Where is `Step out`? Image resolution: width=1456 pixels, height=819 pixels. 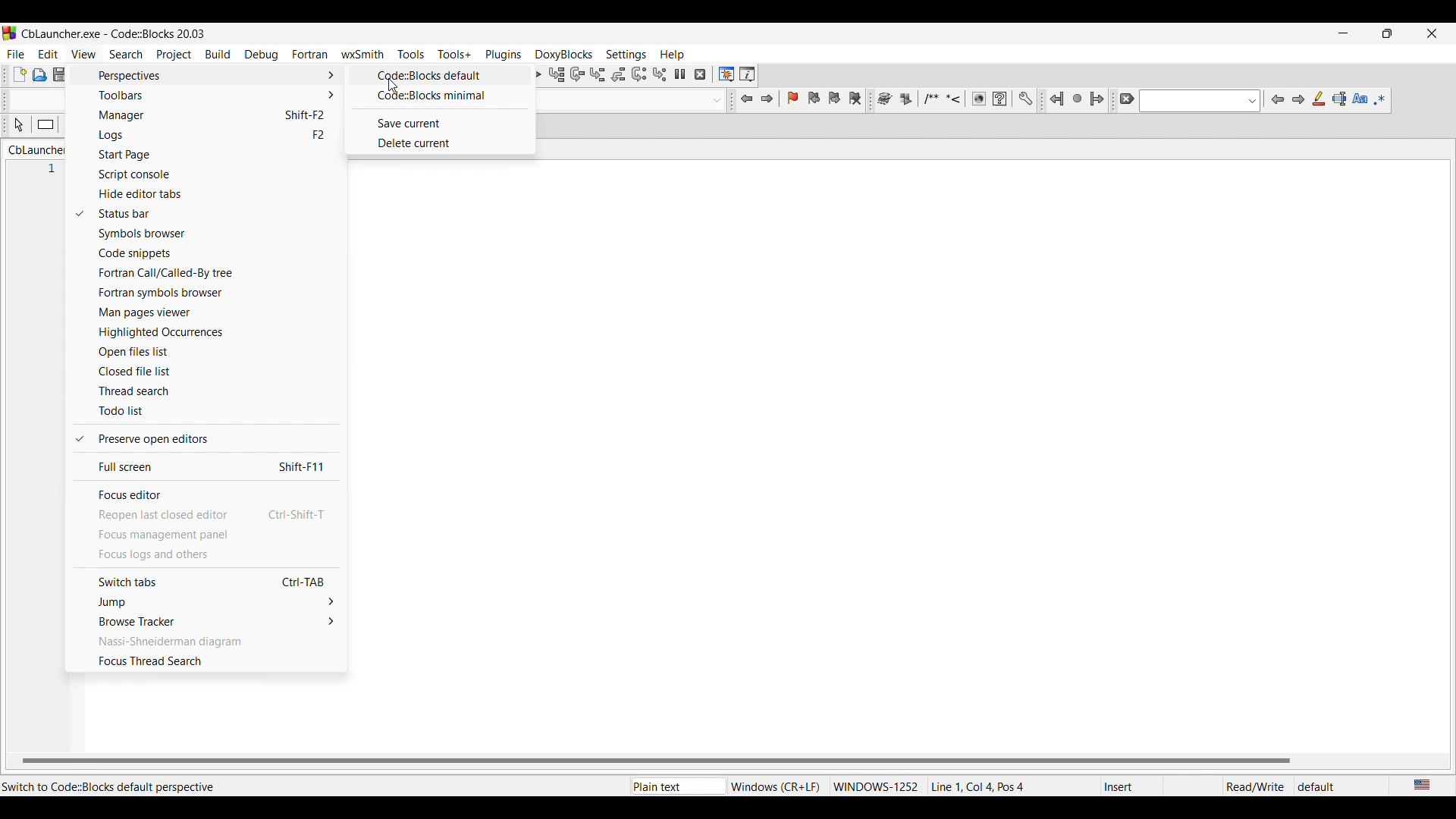
Step out is located at coordinates (619, 74).